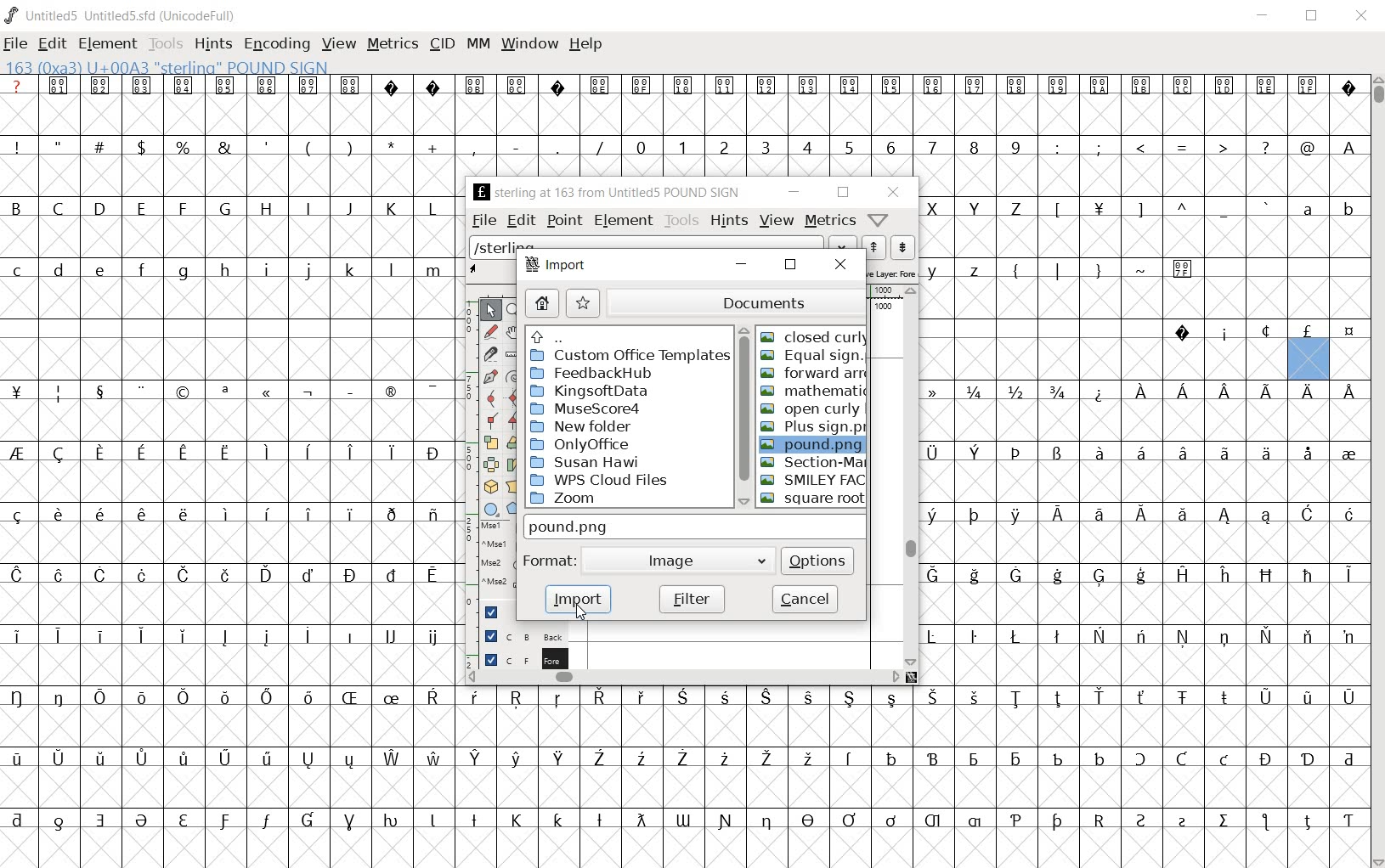 Image resolution: width=1385 pixels, height=868 pixels. Describe the element at coordinates (564, 220) in the screenshot. I see `point` at that location.